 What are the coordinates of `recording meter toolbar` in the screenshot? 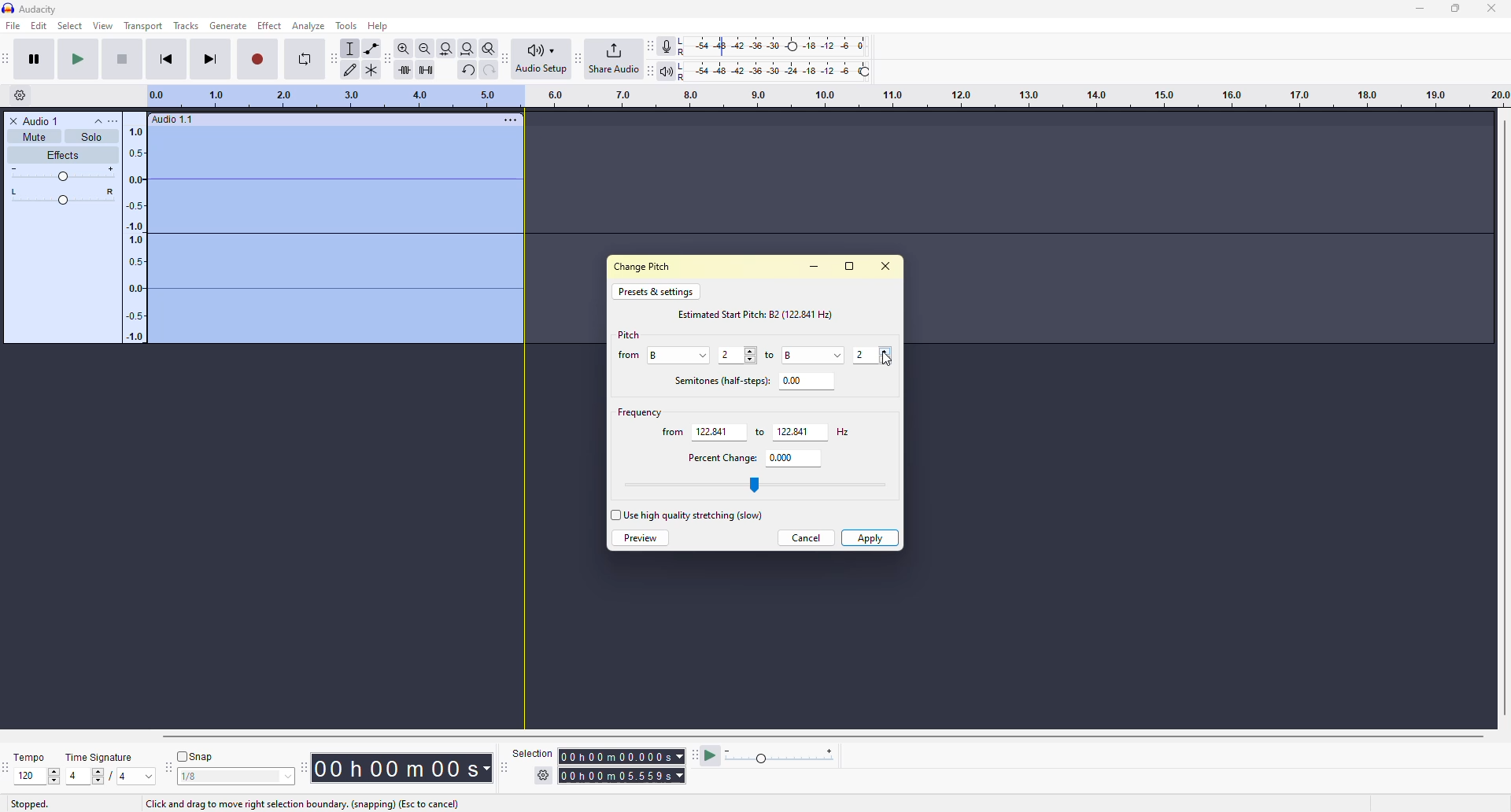 It's located at (650, 46).